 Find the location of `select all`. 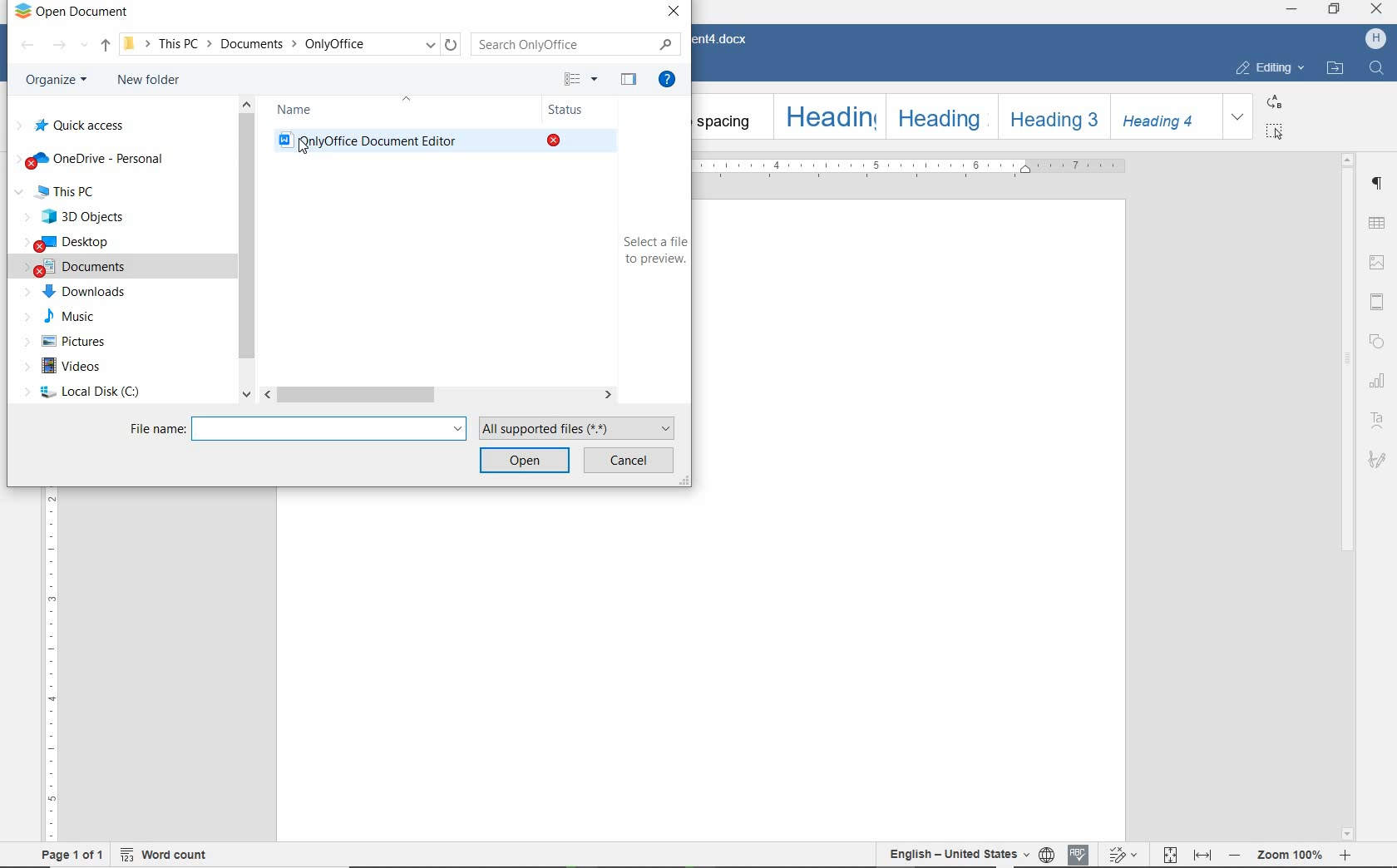

select all is located at coordinates (1275, 131).